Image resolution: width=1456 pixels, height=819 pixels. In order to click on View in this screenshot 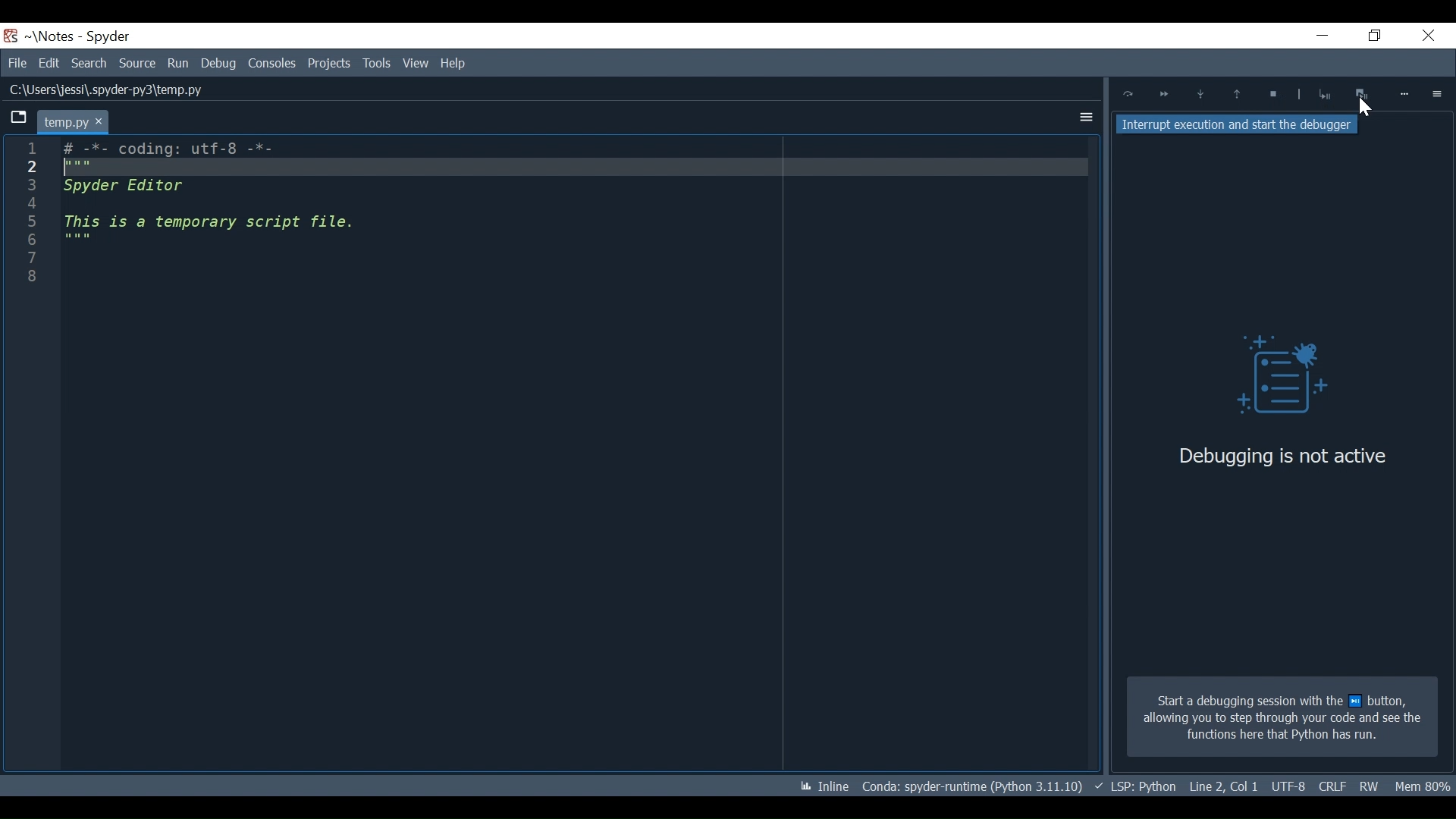, I will do `click(376, 63)`.